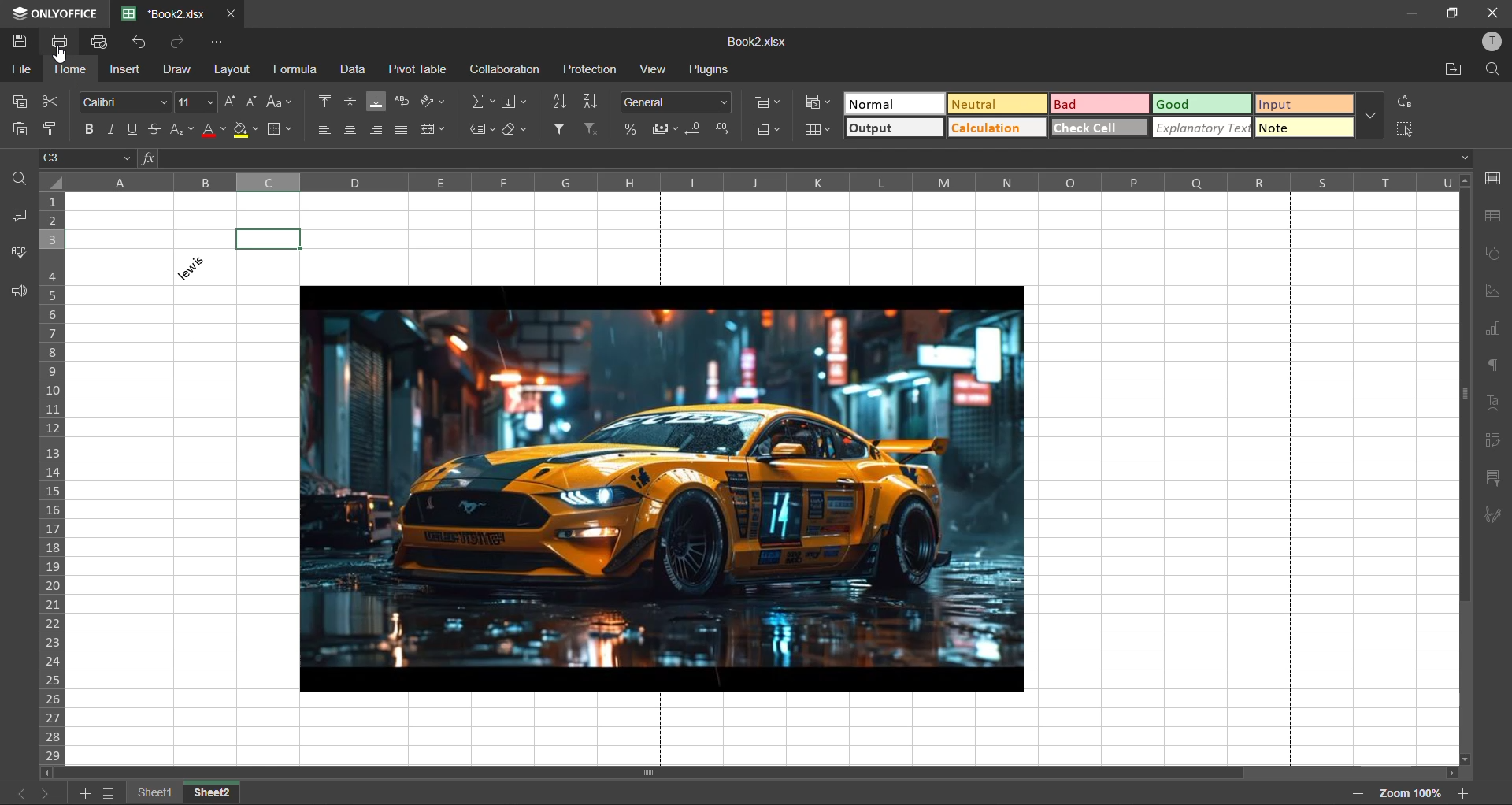  I want to click on feedback, so click(23, 293).